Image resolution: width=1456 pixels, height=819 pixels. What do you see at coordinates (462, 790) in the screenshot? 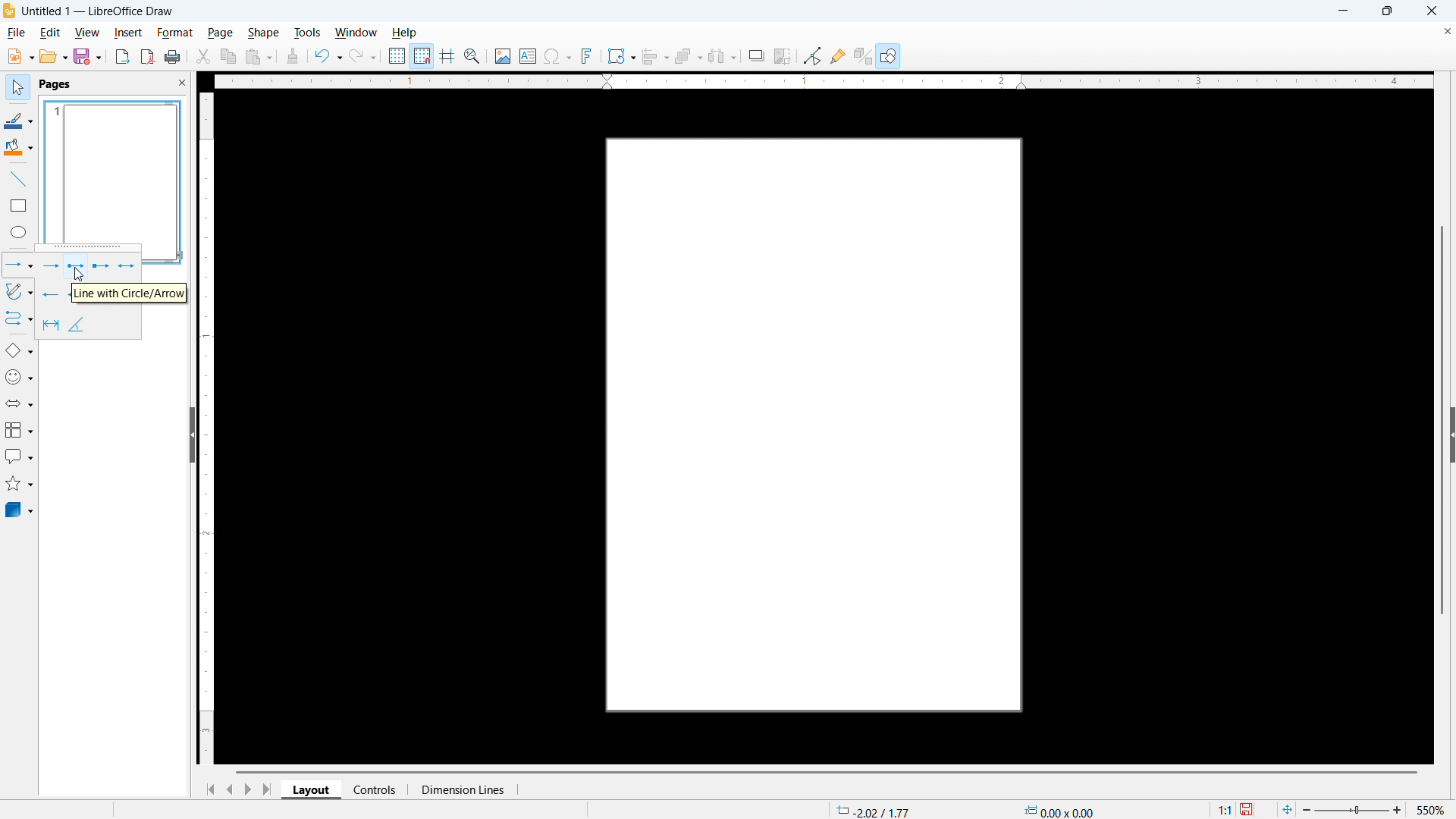
I see `Dimension lines ` at bounding box center [462, 790].